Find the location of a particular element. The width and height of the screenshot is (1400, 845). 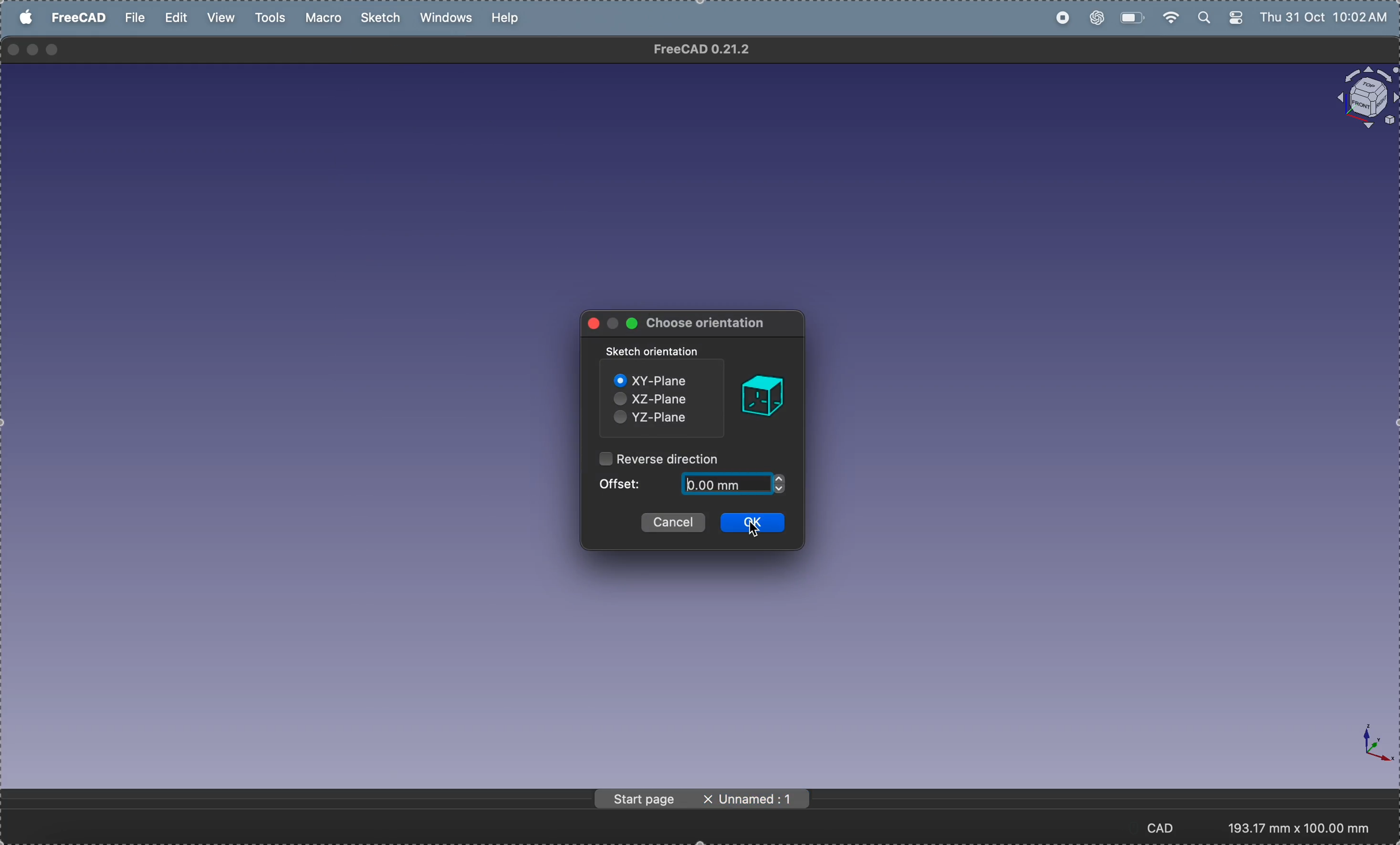

marco is located at coordinates (327, 18).